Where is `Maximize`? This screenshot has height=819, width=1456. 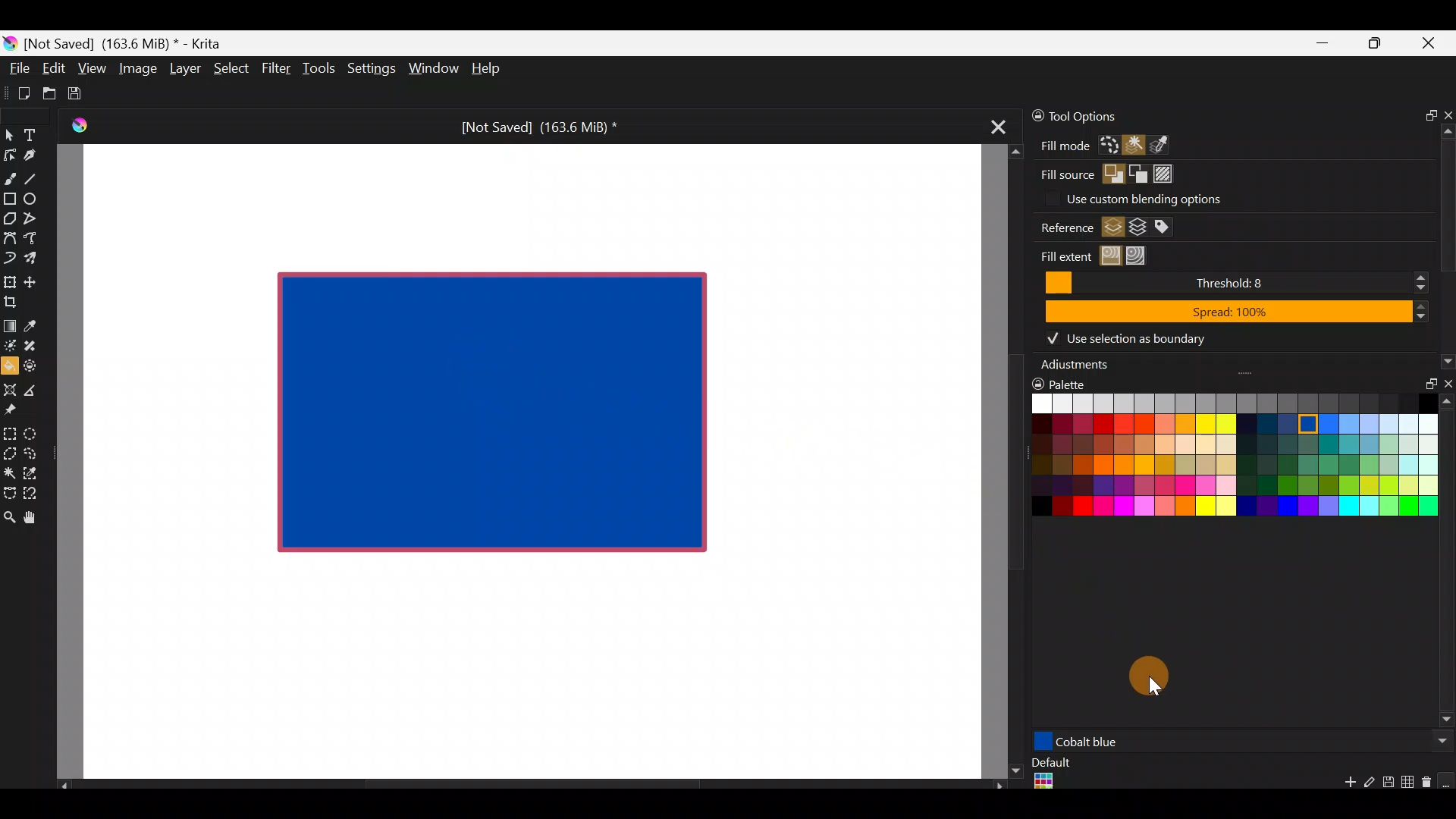 Maximize is located at coordinates (1377, 43).